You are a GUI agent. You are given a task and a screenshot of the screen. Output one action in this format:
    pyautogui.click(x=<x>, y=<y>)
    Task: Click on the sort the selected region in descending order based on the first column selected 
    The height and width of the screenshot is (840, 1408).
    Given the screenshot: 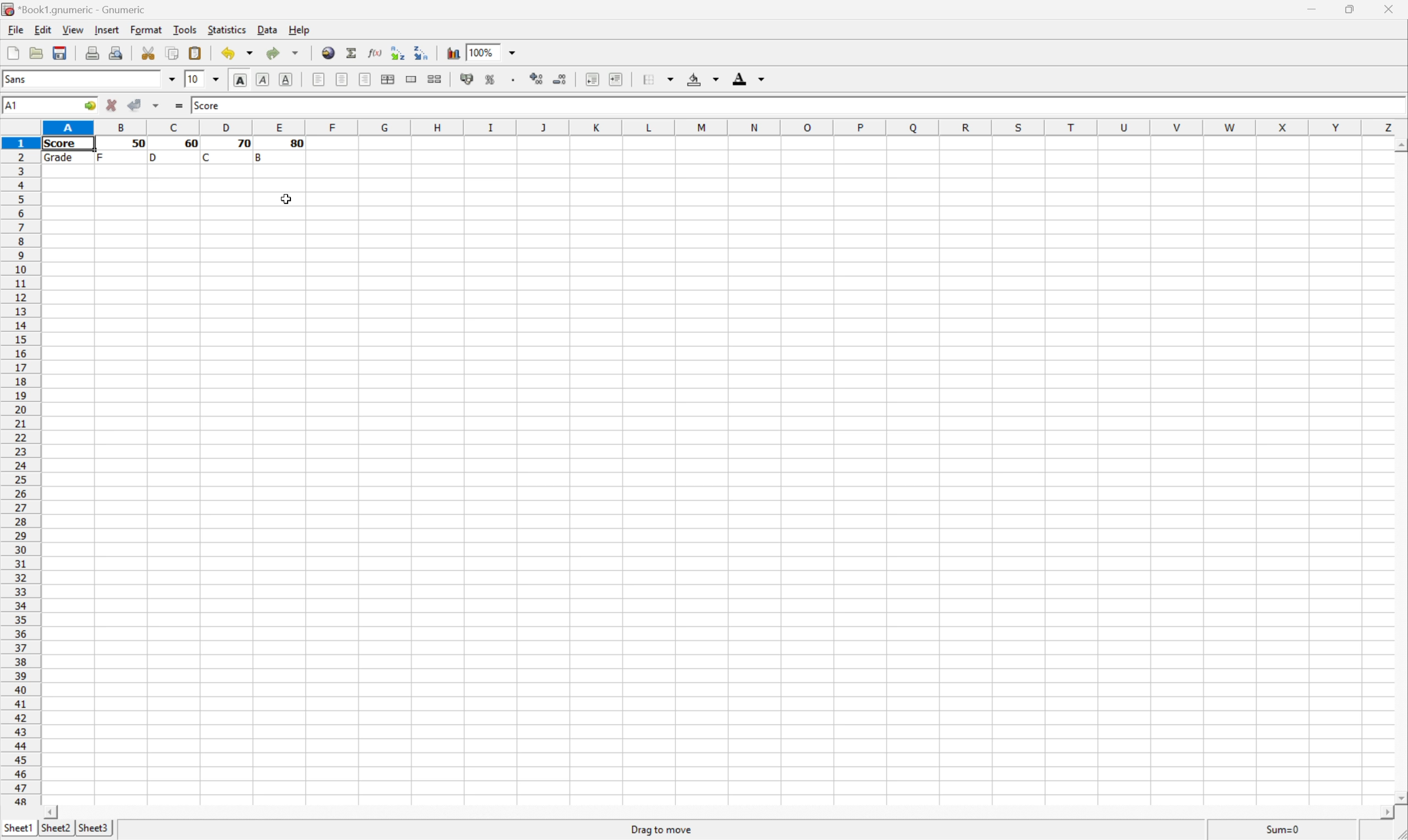 What is the action you would take?
    pyautogui.click(x=423, y=55)
    